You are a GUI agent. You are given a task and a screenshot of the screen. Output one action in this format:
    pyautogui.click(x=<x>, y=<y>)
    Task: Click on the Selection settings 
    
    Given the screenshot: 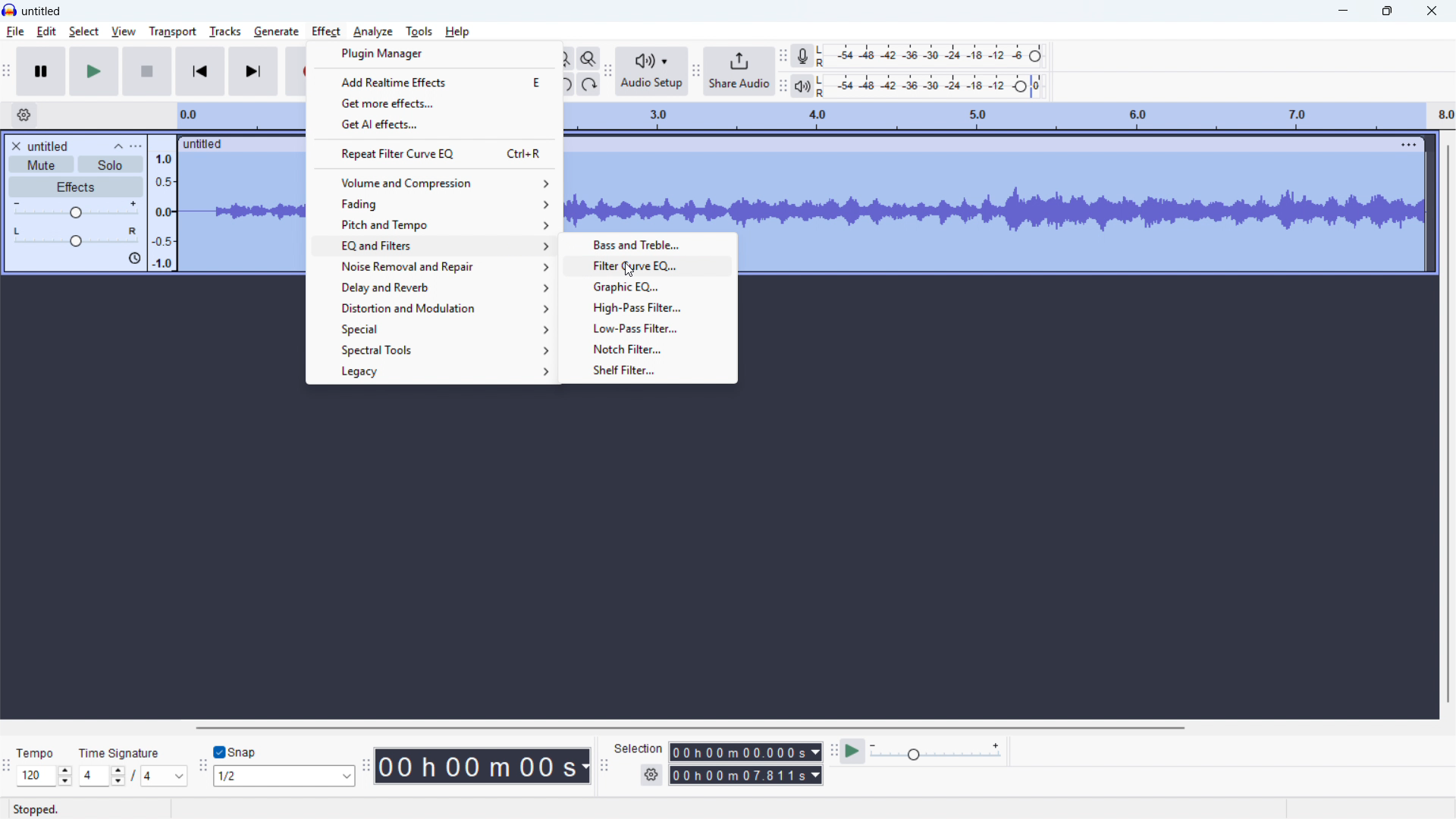 What is the action you would take?
    pyautogui.click(x=651, y=776)
    